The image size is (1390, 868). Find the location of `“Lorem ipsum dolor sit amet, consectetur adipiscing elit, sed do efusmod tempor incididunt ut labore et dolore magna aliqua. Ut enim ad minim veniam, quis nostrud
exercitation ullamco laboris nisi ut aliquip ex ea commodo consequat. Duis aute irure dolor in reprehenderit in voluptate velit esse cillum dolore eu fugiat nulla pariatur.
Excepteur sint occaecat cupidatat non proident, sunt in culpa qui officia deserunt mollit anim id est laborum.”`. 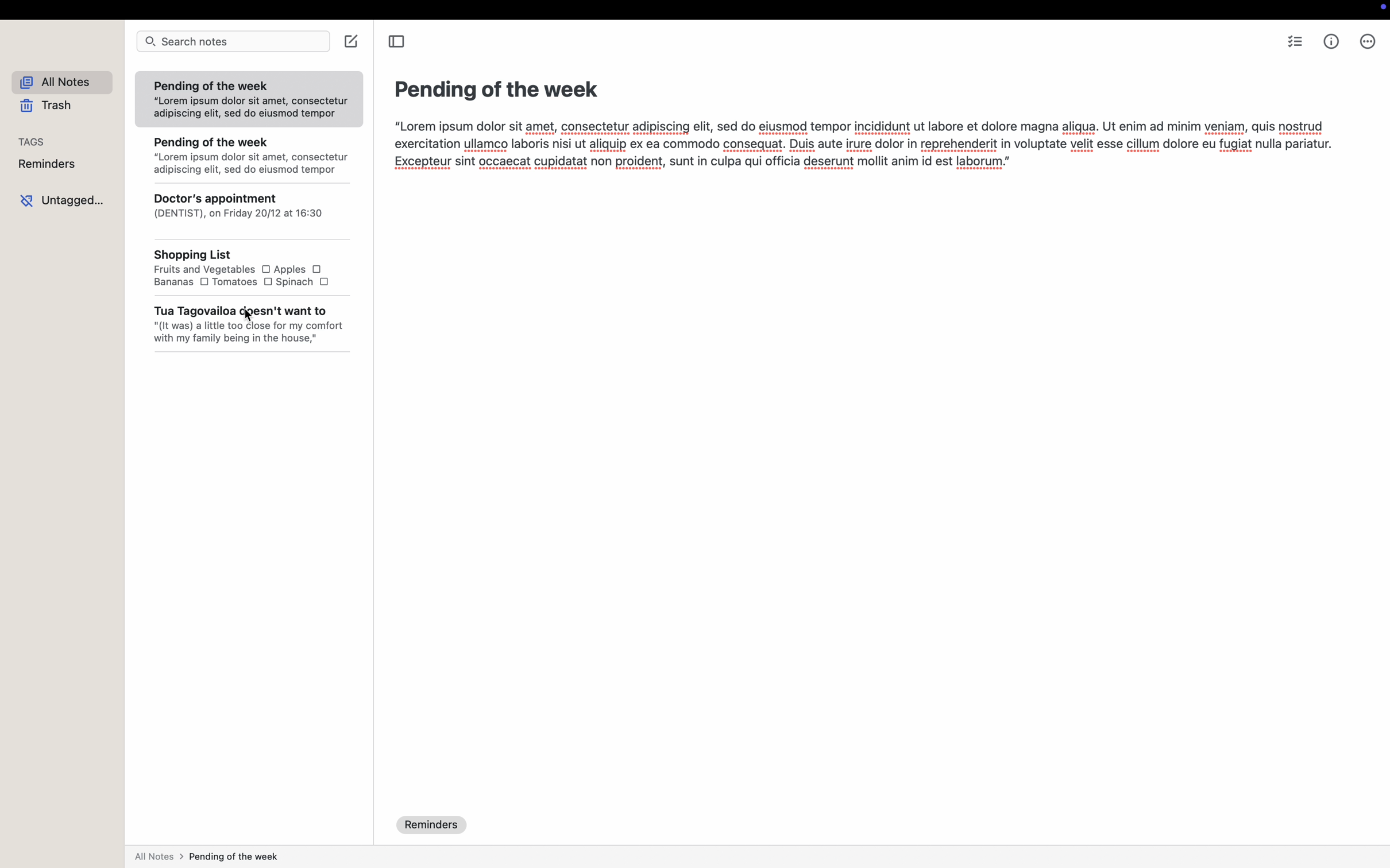

“Lorem ipsum dolor sit amet, consectetur adipiscing elit, sed do efusmod tempor incididunt ut labore et dolore magna aliqua. Ut enim ad minim veniam, quis nostrud
exercitation ullamco laboris nisi ut aliquip ex ea commodo consequat. Duis aute irure dolor in reprehenderit in voluptate velit esse cillum dolore eu fugiat nulla pariatur.
Excepteur sint occaecat cupidatat non proident, sunt in culpa qui officia deserunt mollit anim id est laborum.” is located at coordinates (861, 148).